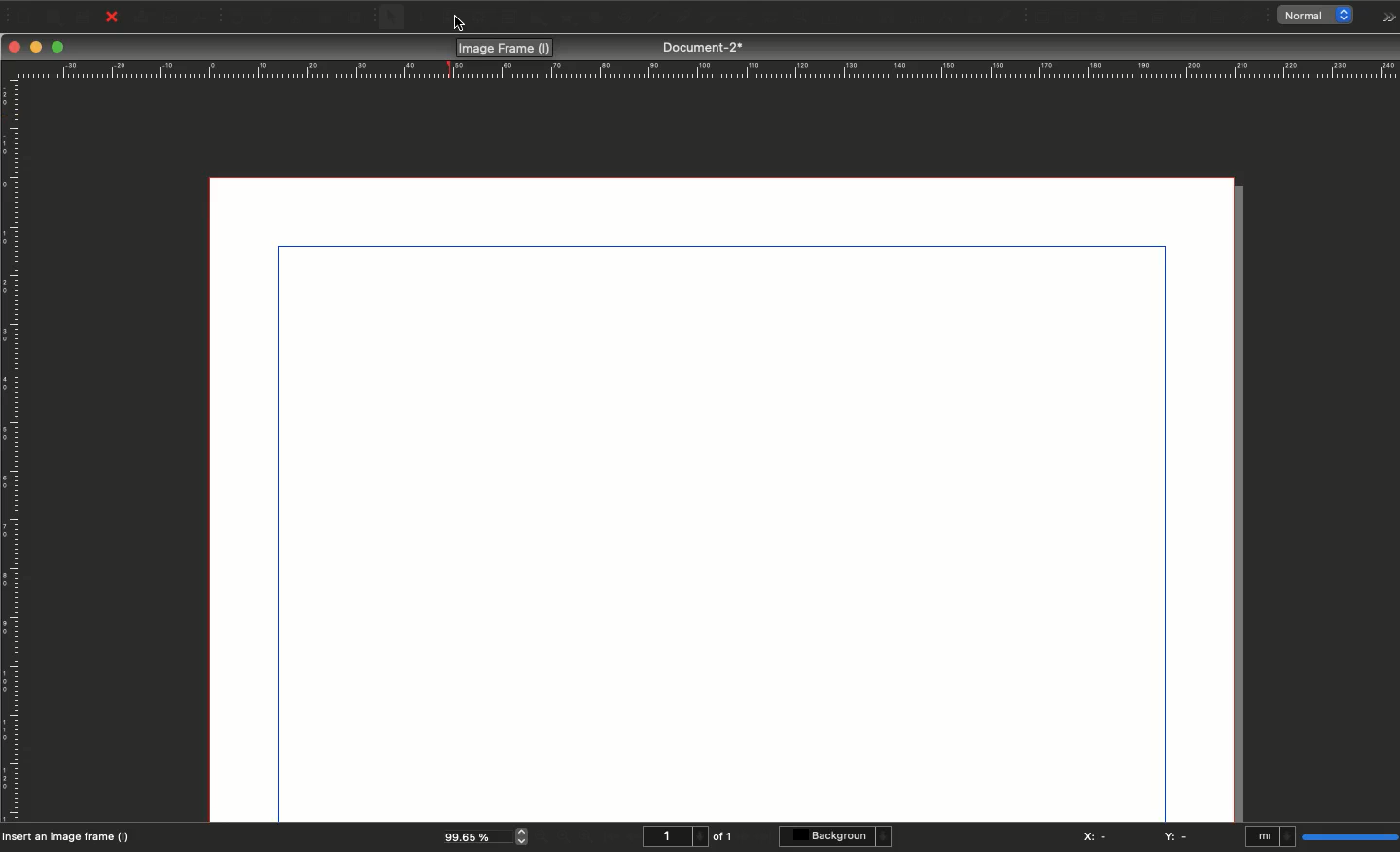  What do you see at coordinates (59, 49) in the screenshot?
I see `Maximize` at bounding box center [59, 49].